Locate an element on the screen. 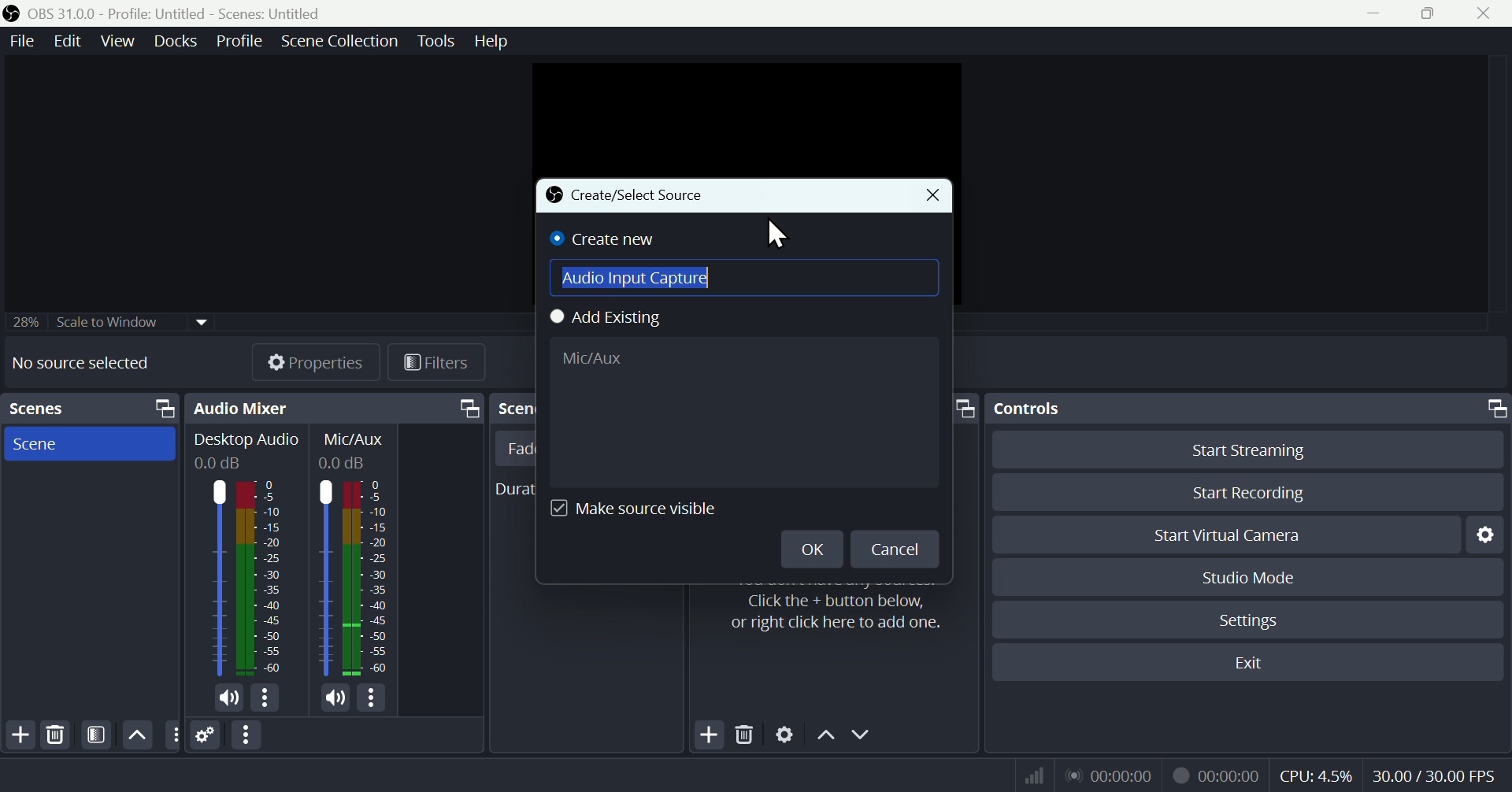 Image resolution: width=1512 pixels, height=792 pixels. OBS 31.0 .0 profile: untitled scenes: untitled is located at coordinates (184, 13).